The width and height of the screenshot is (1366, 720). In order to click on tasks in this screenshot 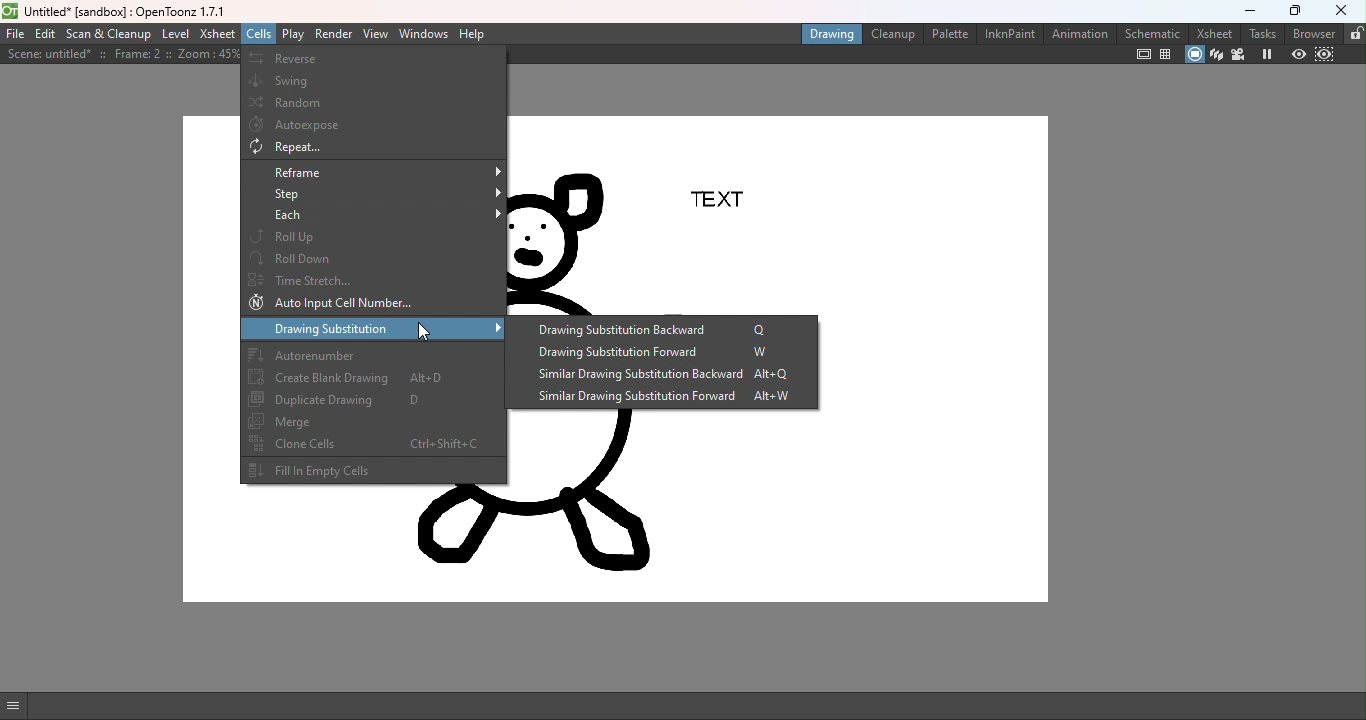, I will do `click(1260, 33)`.